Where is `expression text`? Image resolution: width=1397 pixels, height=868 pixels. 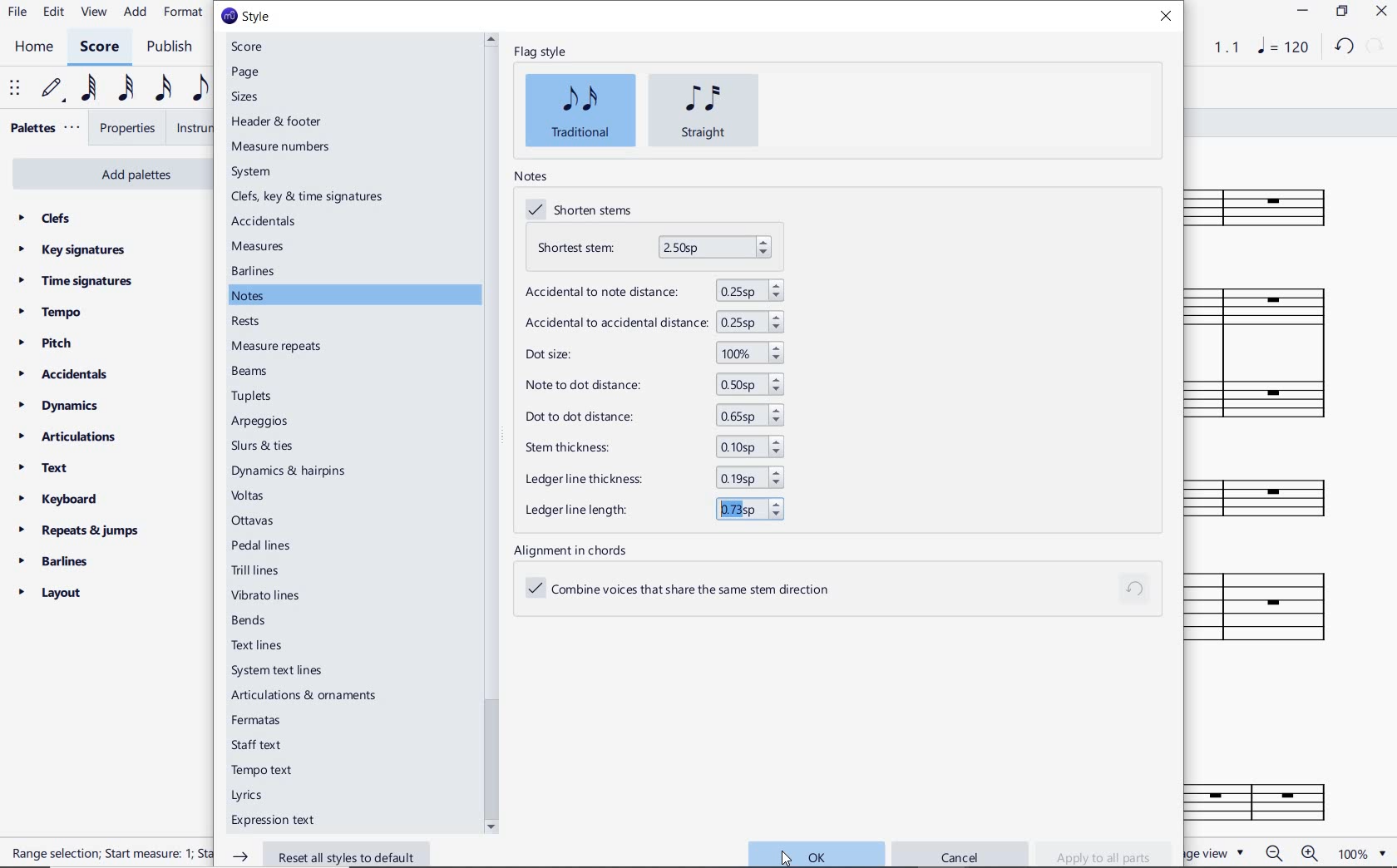 expression text is located at coordinates (281, 819).